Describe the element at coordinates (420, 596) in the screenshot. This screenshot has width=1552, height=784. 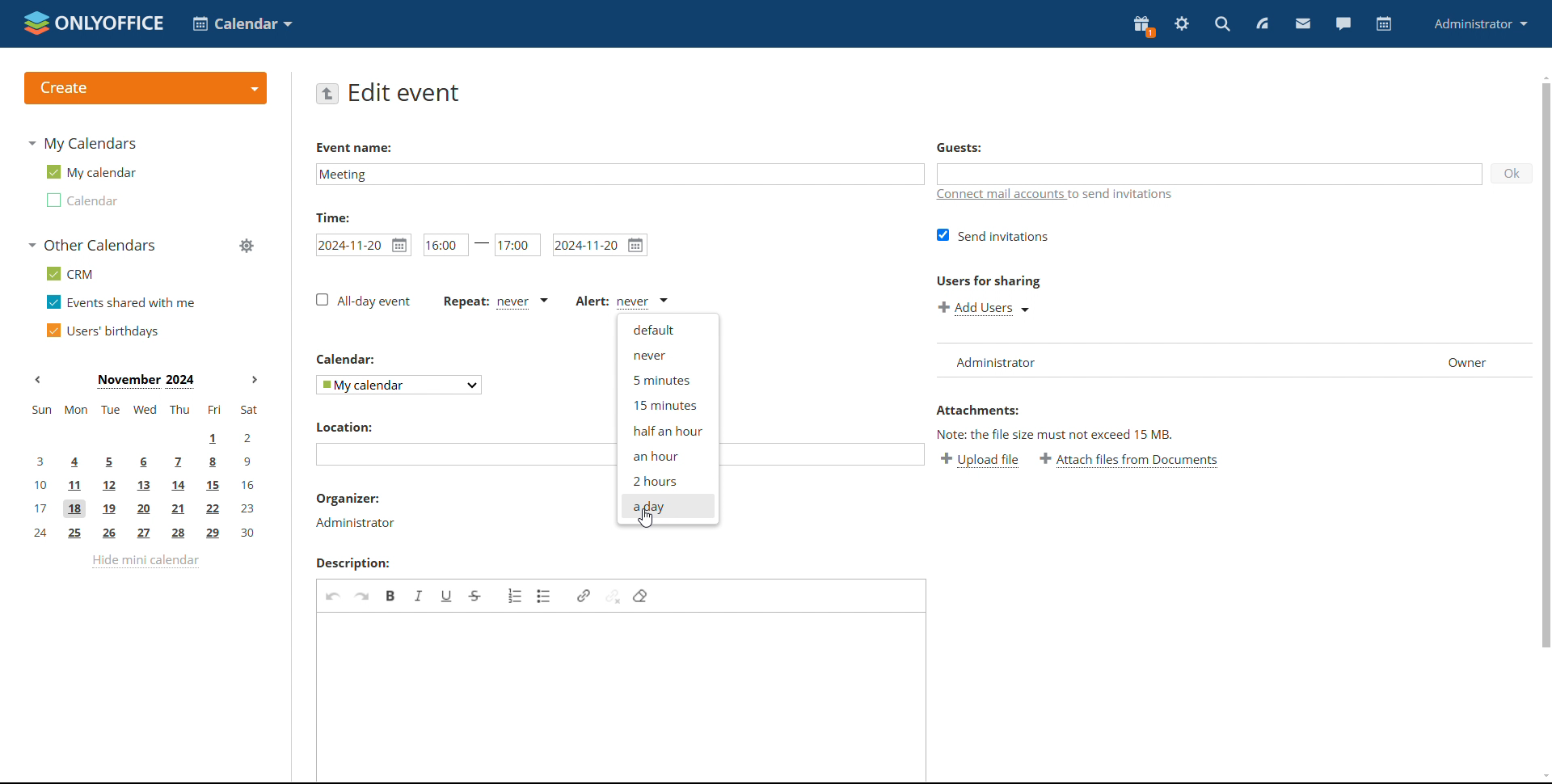
I see `italic` at that location.